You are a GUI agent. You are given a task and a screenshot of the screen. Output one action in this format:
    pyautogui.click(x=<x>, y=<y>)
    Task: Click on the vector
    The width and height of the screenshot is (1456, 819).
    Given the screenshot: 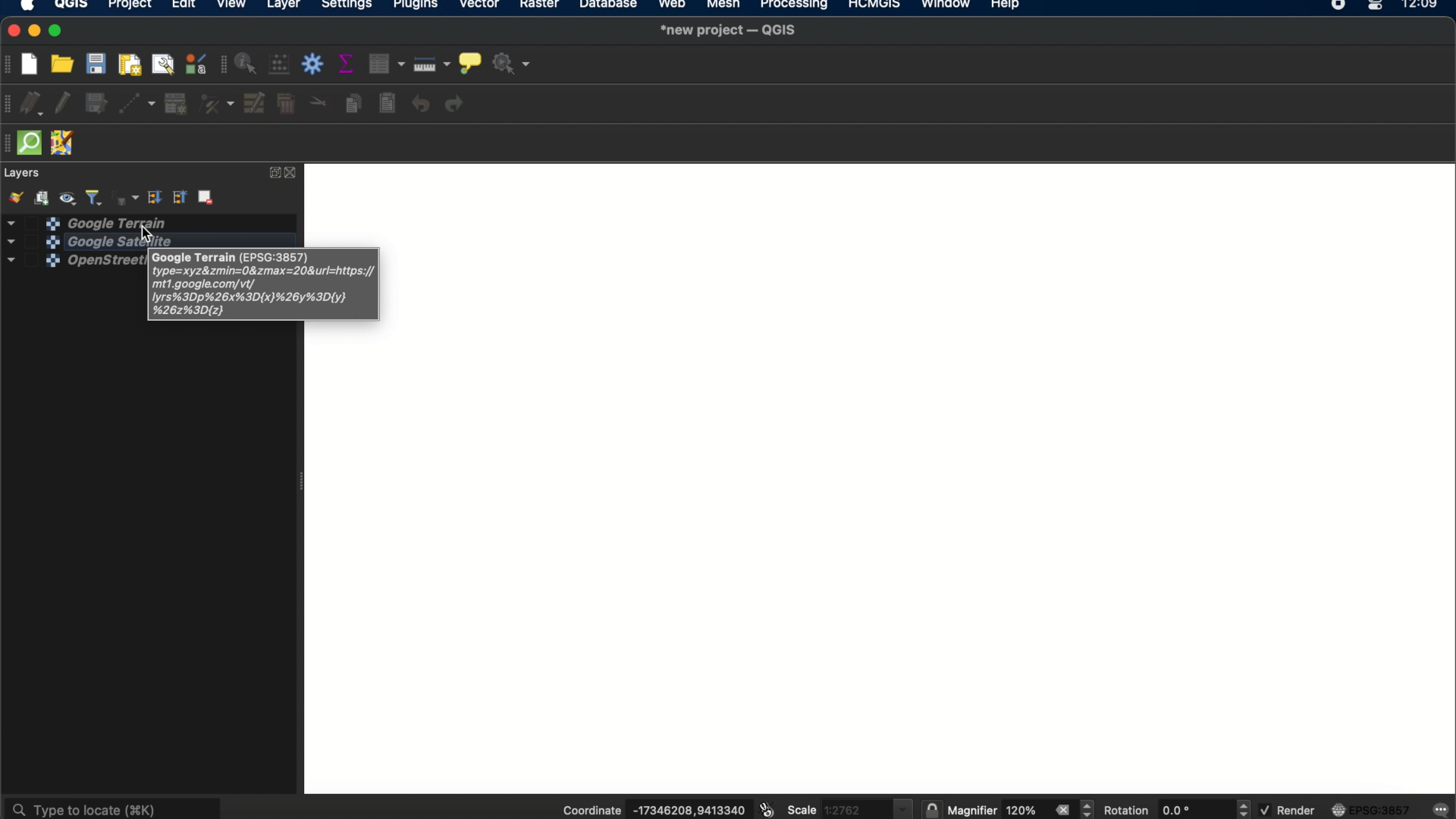 What is the action you would take?
    pyautogui.click(x=481, y=7)
    